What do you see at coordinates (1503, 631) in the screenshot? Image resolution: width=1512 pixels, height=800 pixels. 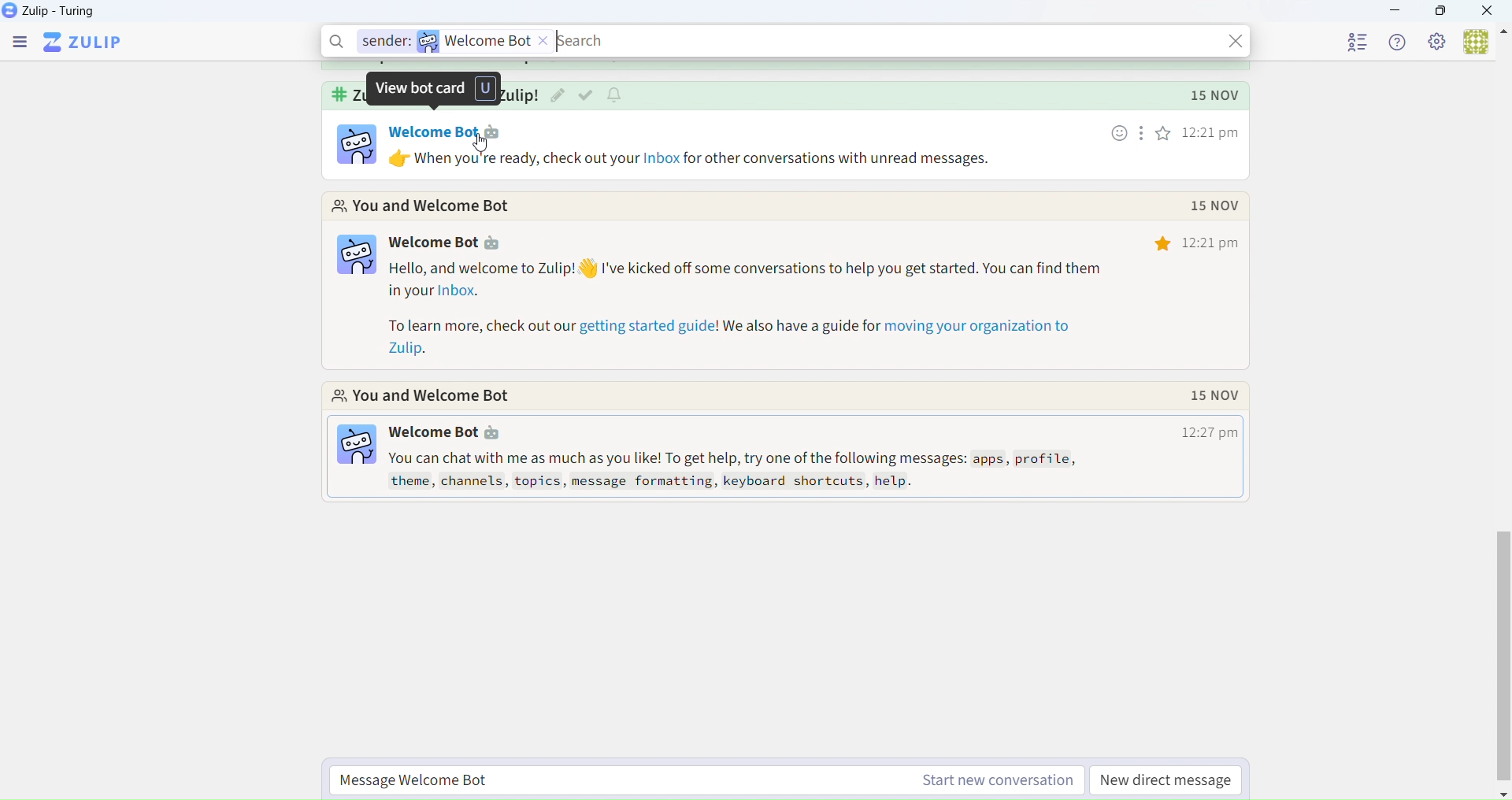 I see `vertical scroll bar` at bounding box center [1503, 631].